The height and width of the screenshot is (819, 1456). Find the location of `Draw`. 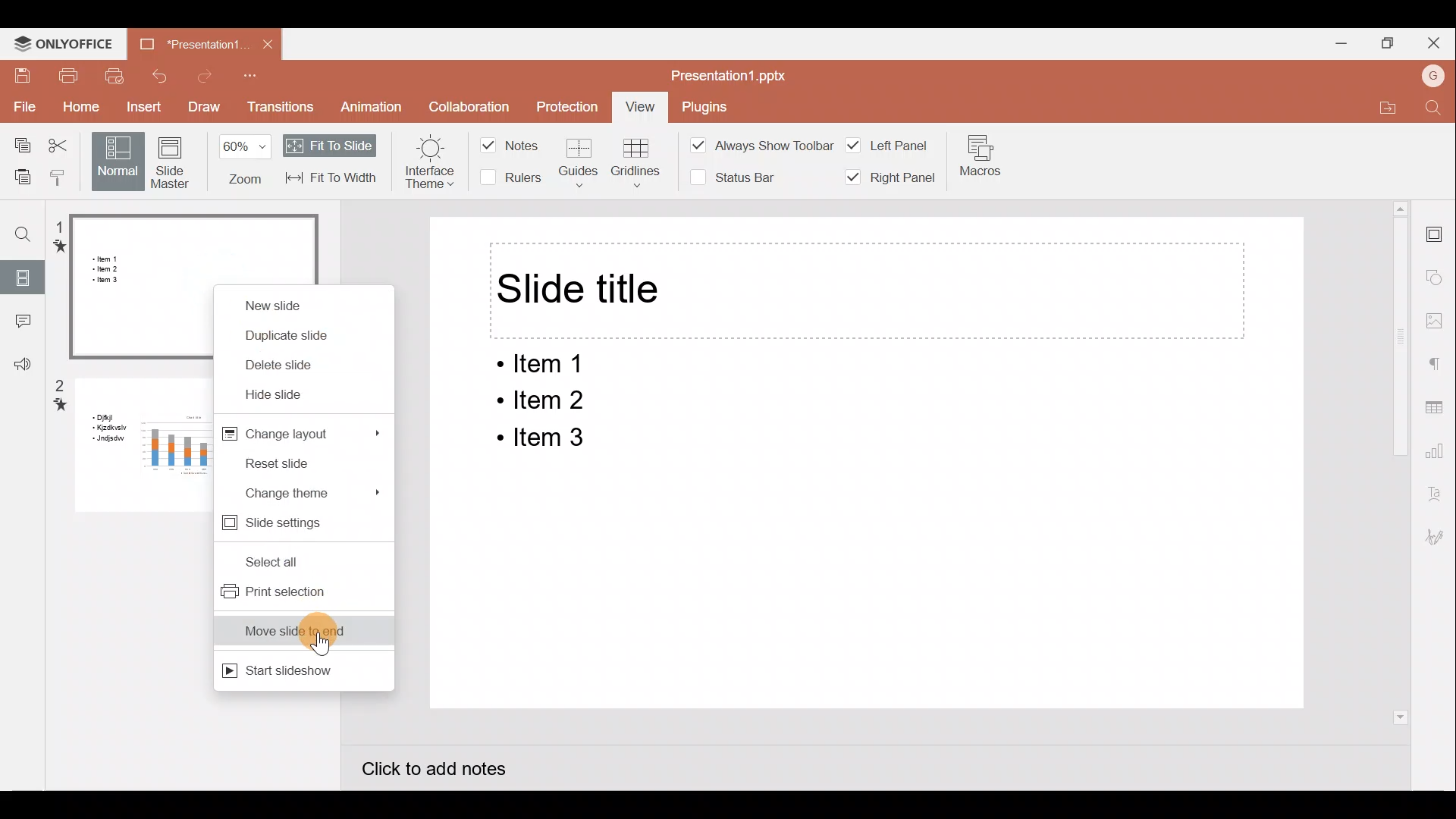

Draw is located at coordinates (202, 104).